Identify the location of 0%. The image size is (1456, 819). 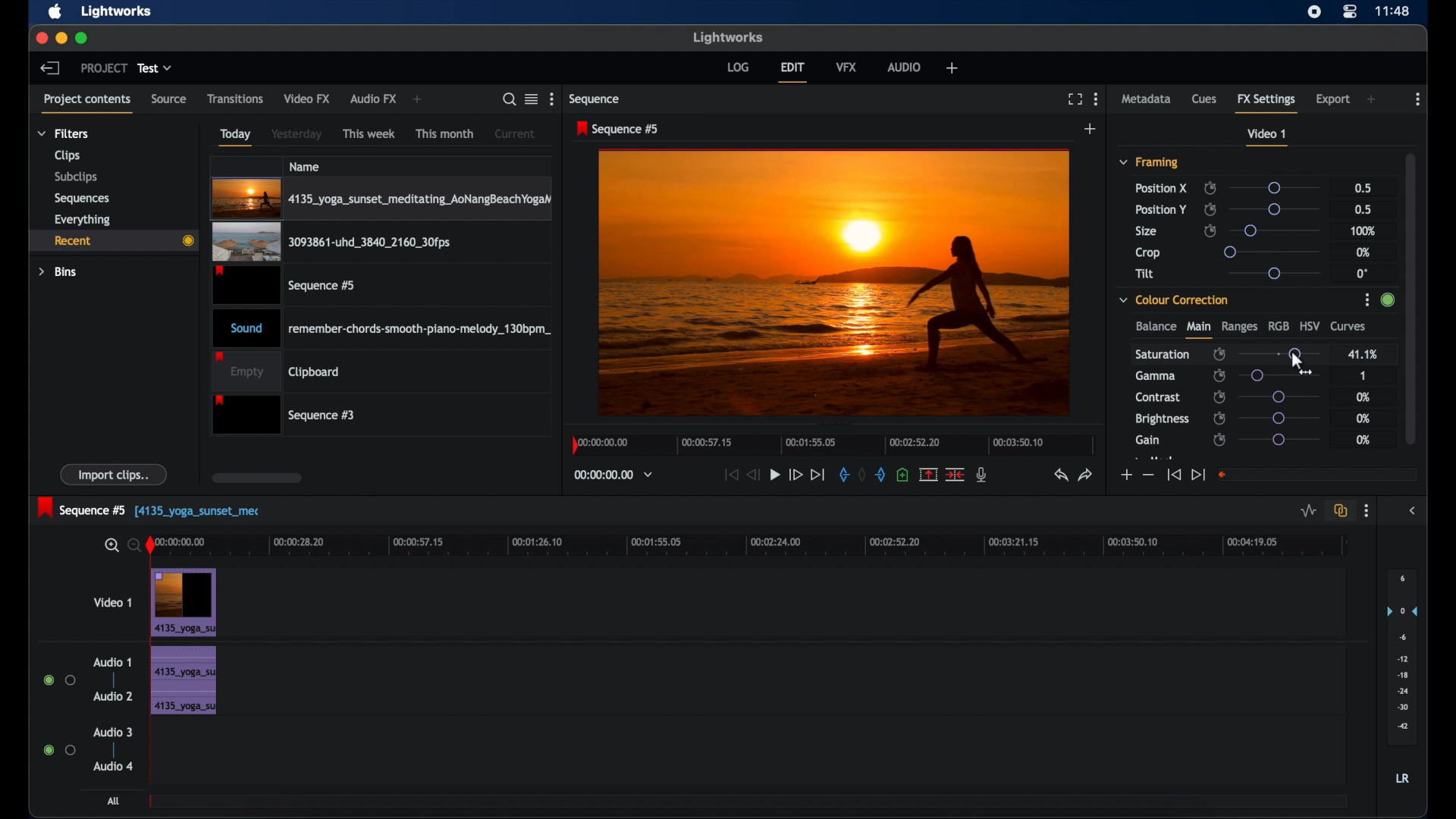
(1361, 398).